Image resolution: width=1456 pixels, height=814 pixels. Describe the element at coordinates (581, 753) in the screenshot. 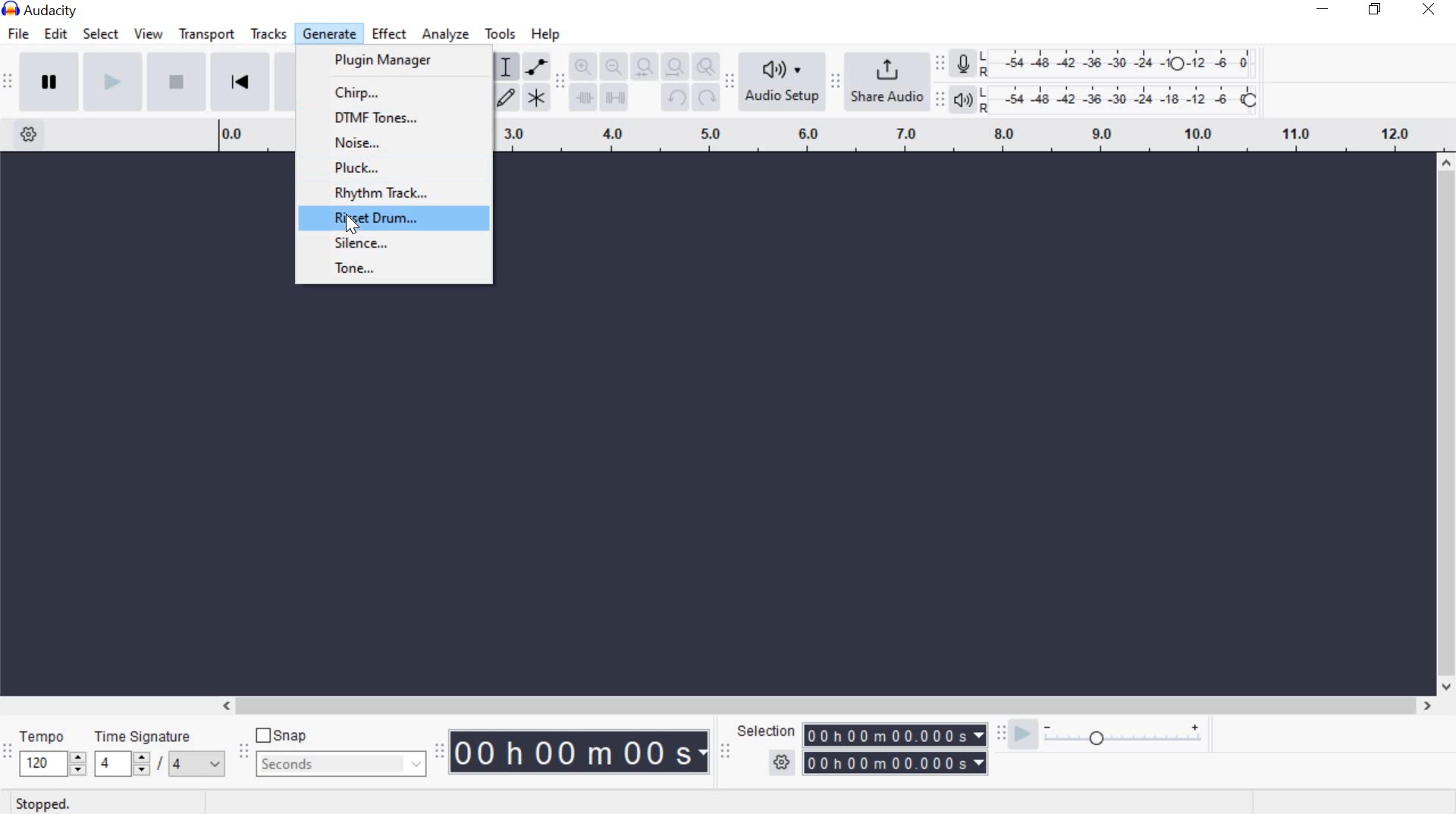

I see `audacity time` at that location.